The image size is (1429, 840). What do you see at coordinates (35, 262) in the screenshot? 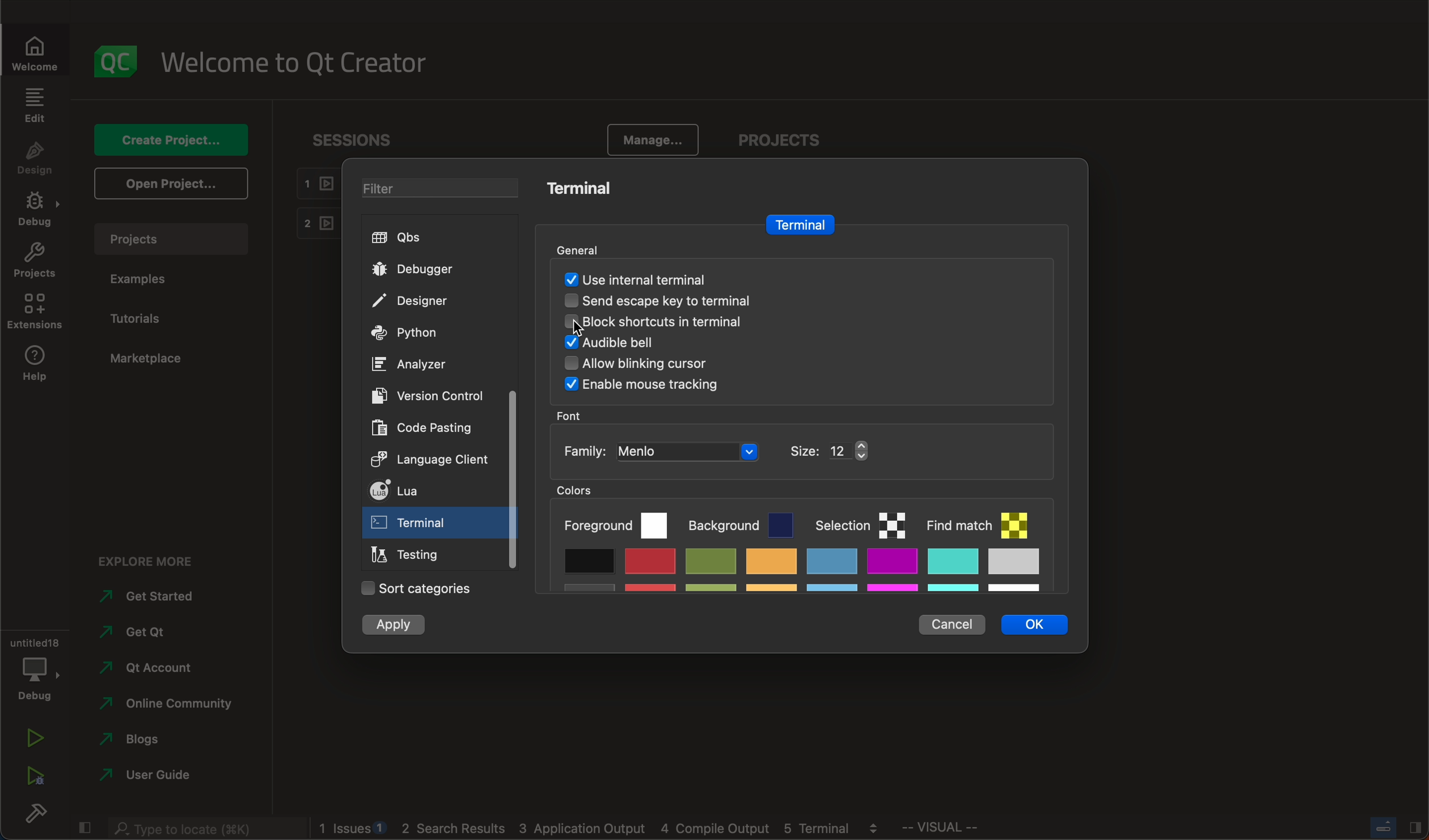
I see `projects` at bounding box center [35, 262].